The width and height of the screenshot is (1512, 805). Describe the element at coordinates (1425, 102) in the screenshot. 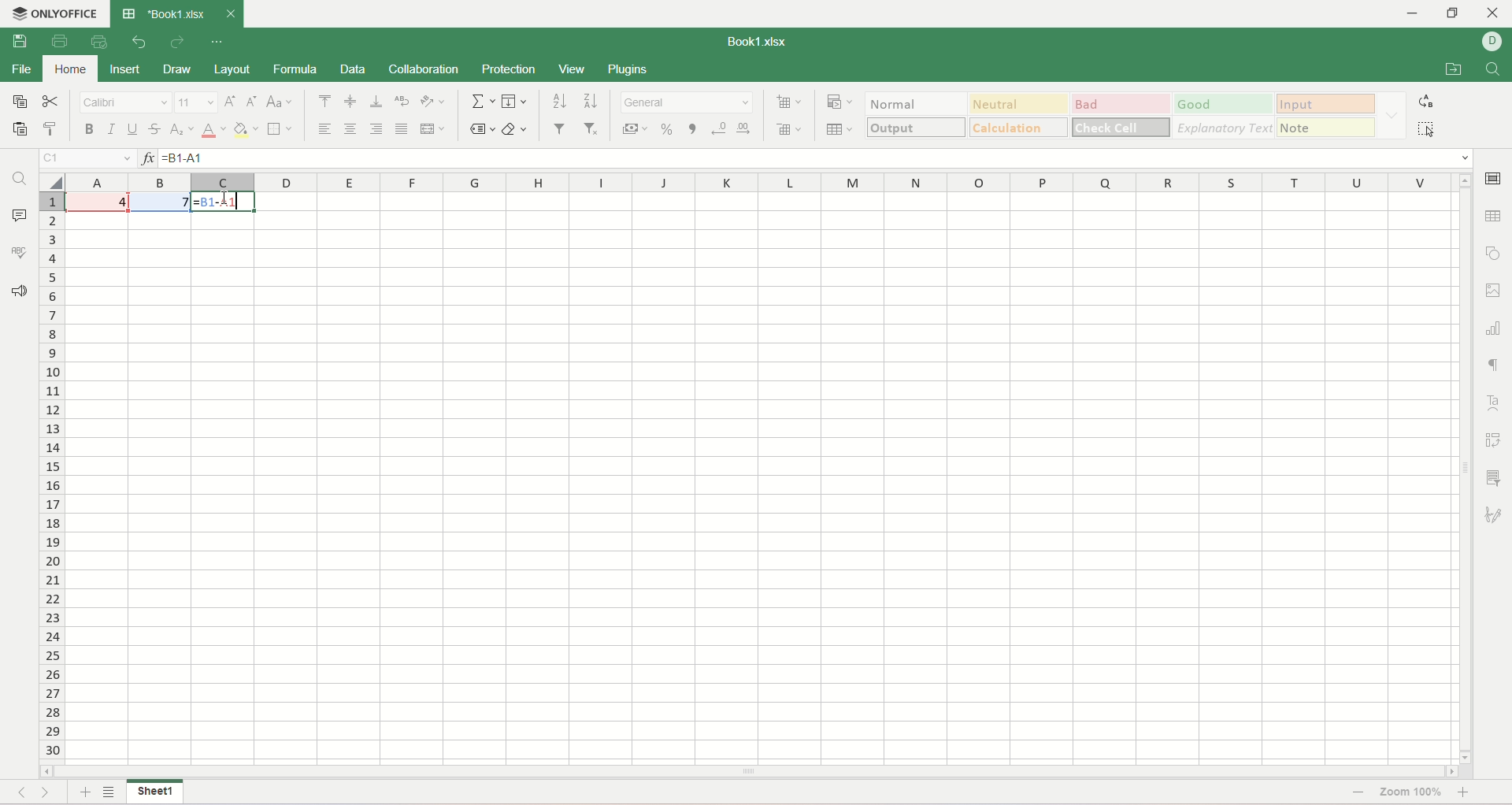

I see `replace` at that location.